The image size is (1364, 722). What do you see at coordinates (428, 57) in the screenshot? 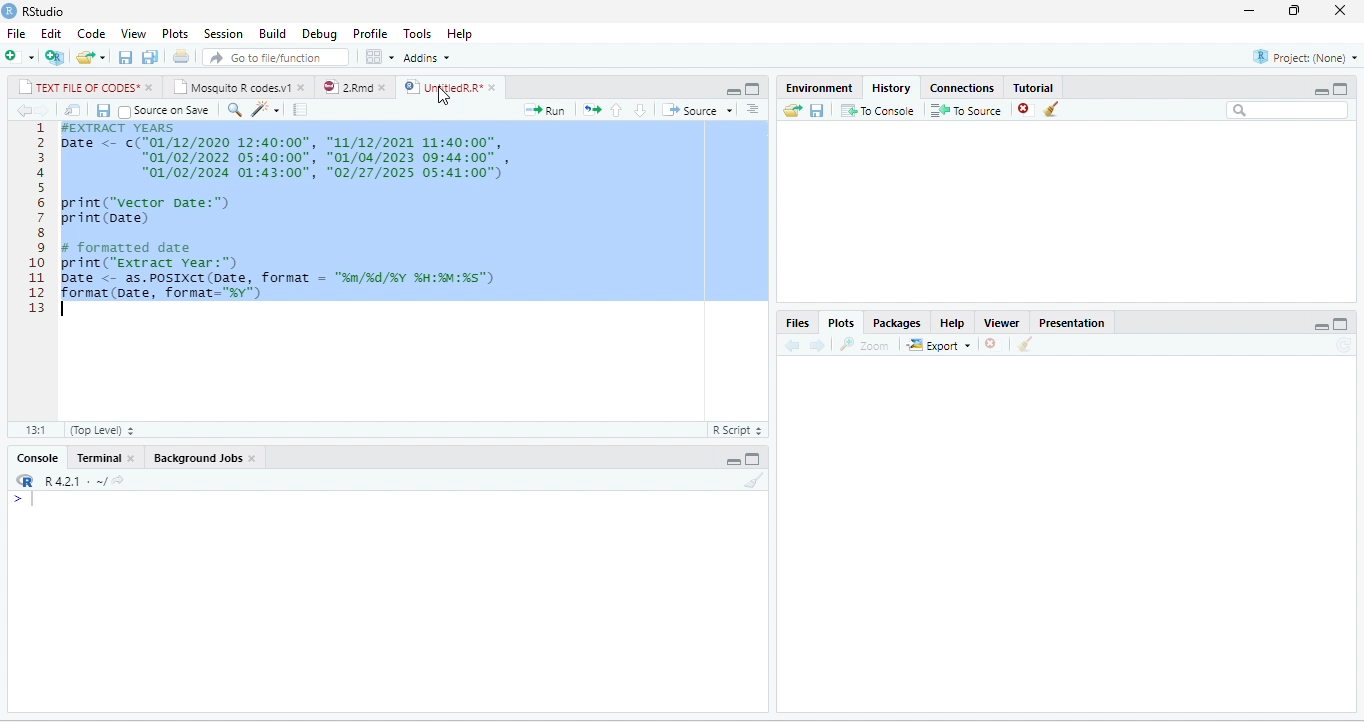
I see `Addins` at bounding box center [428, 57].